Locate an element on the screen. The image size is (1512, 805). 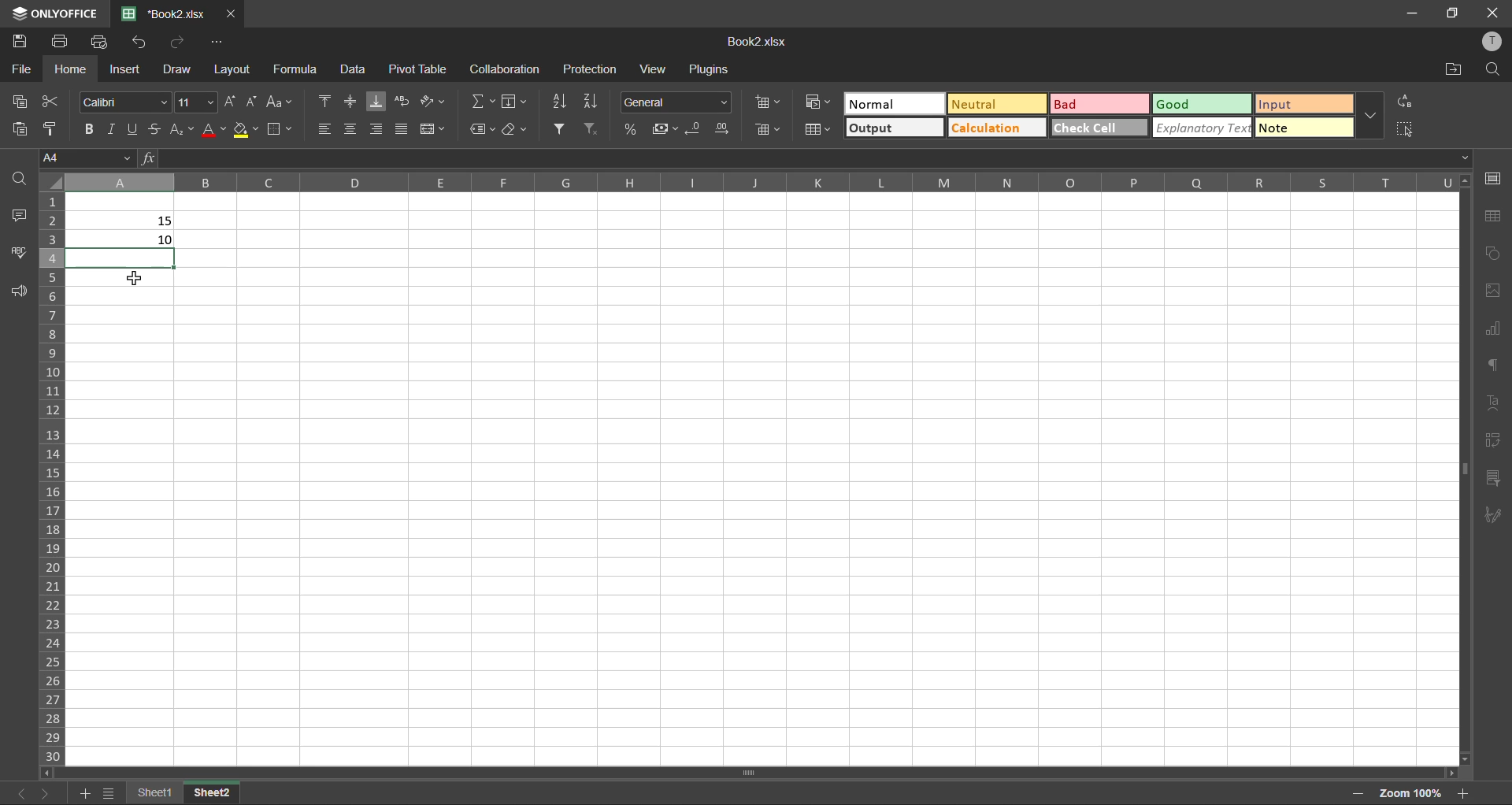
justified is located at coordinates (402, 129).